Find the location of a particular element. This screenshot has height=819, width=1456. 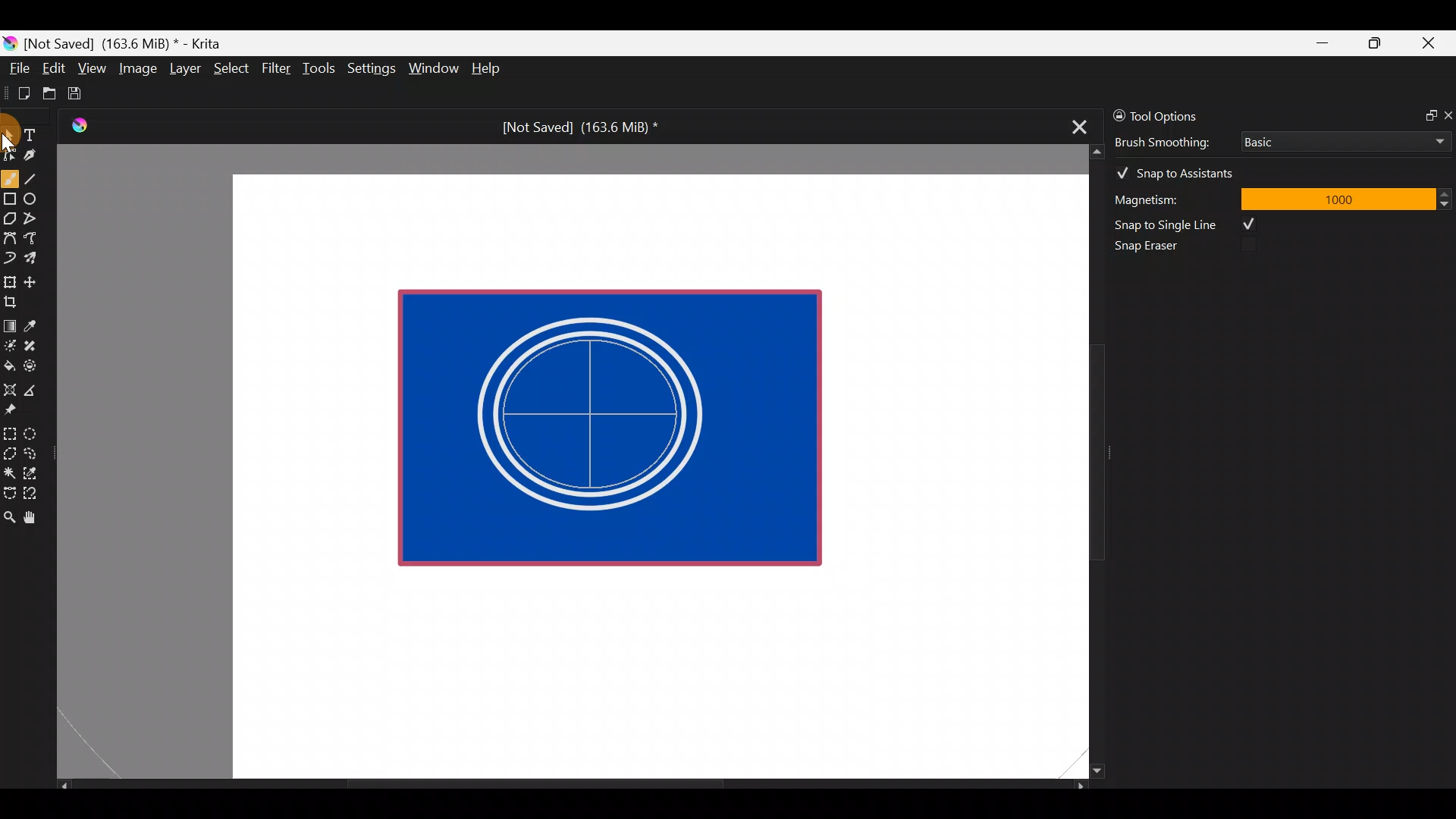

Basic is located at coordinates (1341, 139).